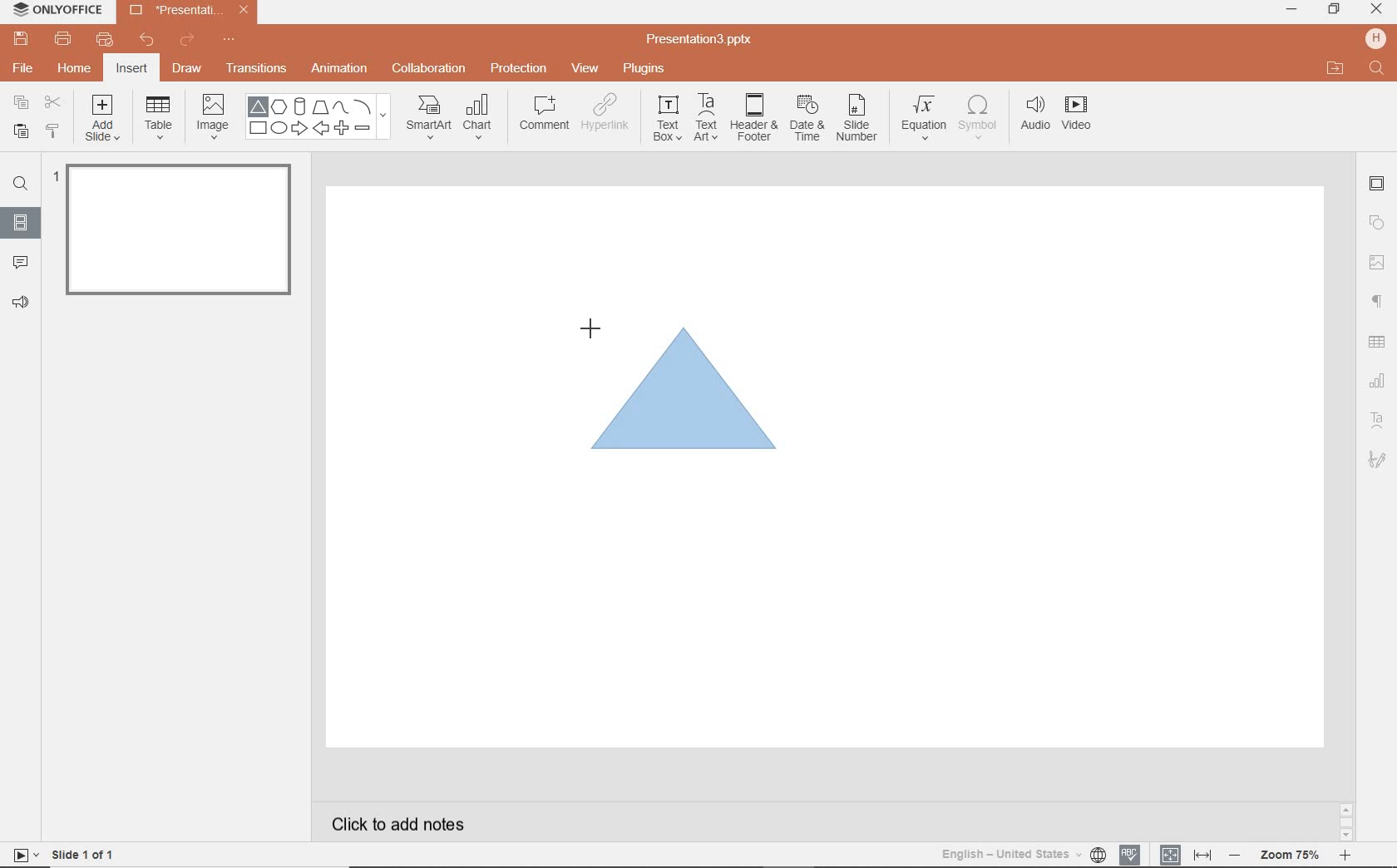 The height and width of the screenshot is (868, 1397). I want to click on DRAW, so click(188, 70).